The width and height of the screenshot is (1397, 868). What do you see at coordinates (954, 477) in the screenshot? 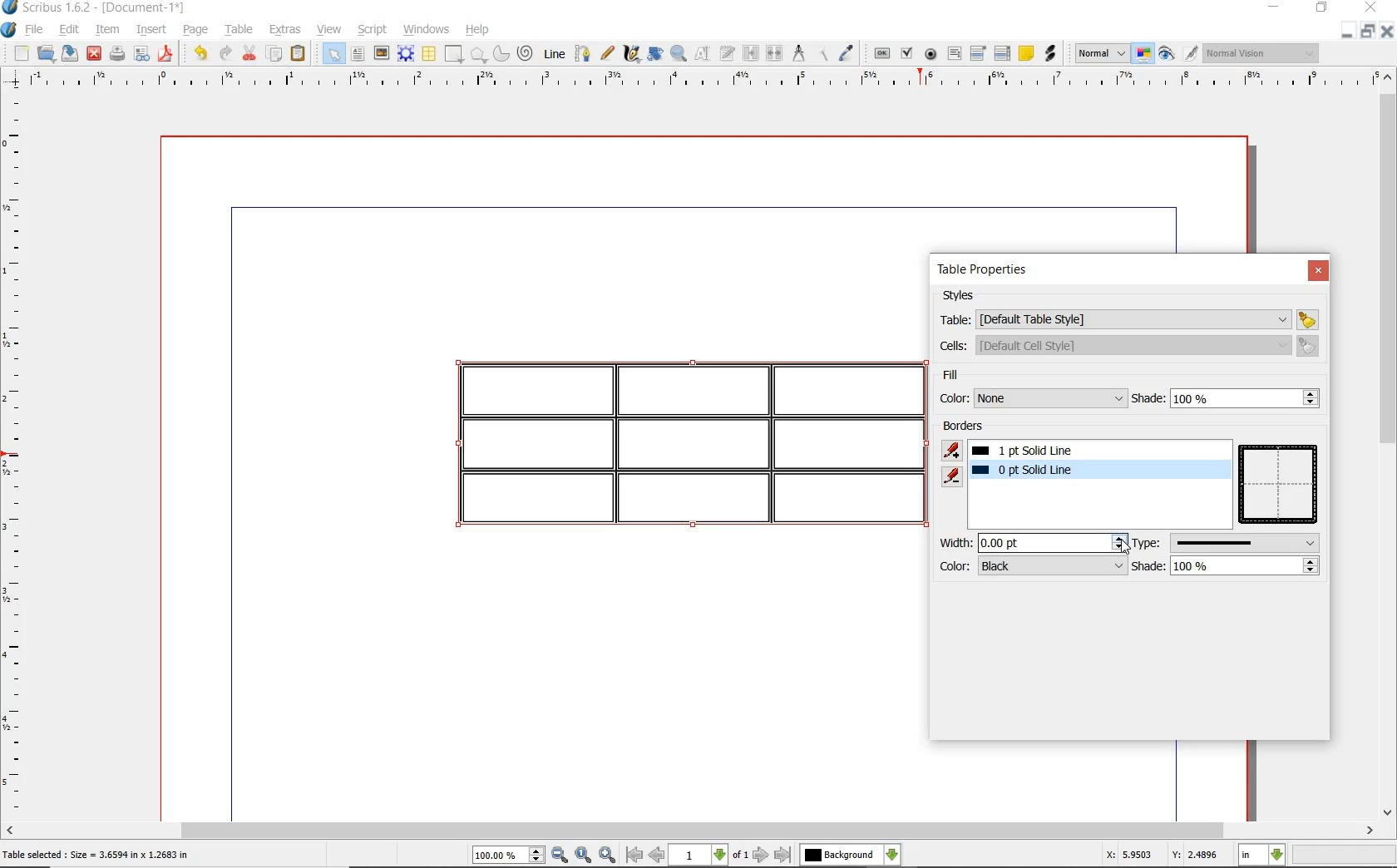
I see `remove border` at bounding box center [954, 477].